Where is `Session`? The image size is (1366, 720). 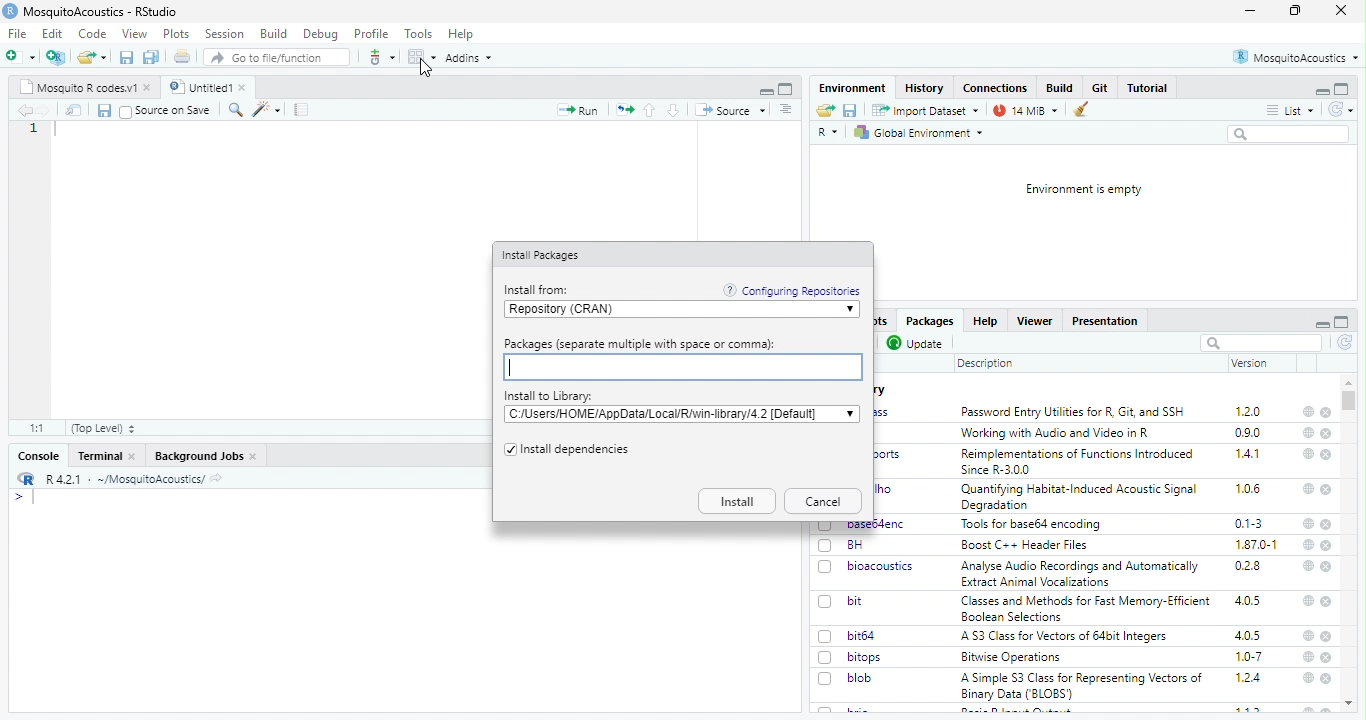
Session is located at coordinates (226, 34).